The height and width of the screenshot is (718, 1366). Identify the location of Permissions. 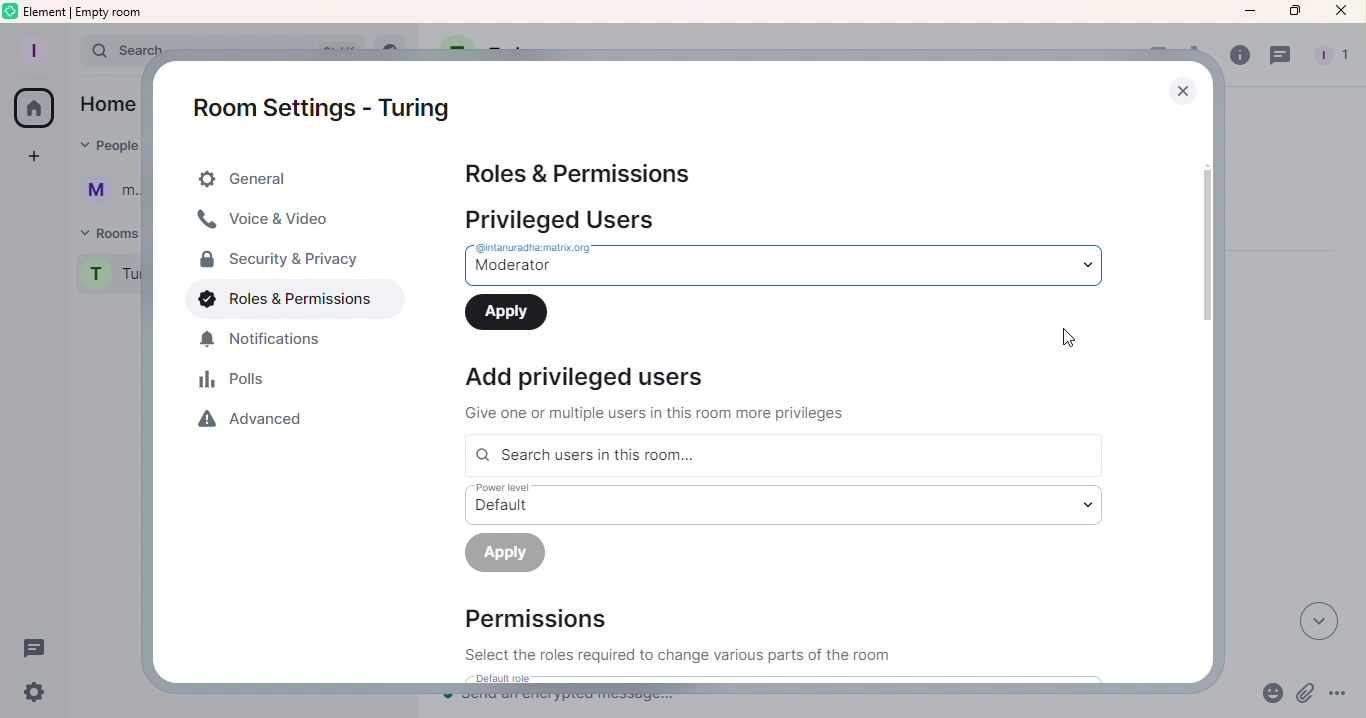
(686, 639).